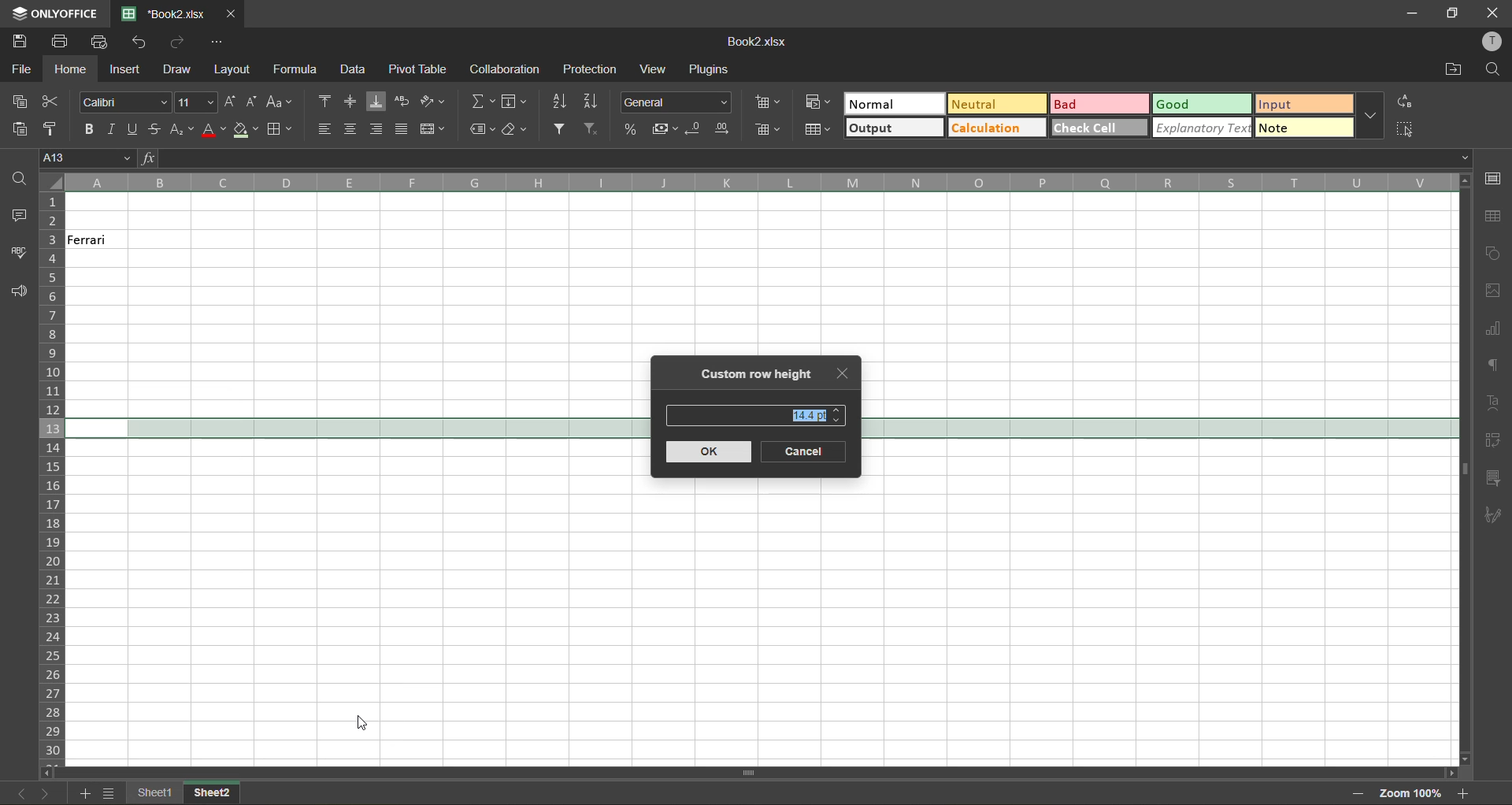 The height and width of the screenshot is (805, 1512). Describe the element at coordinates (1453, 72) in the screenshot. I see `open location` at that location.